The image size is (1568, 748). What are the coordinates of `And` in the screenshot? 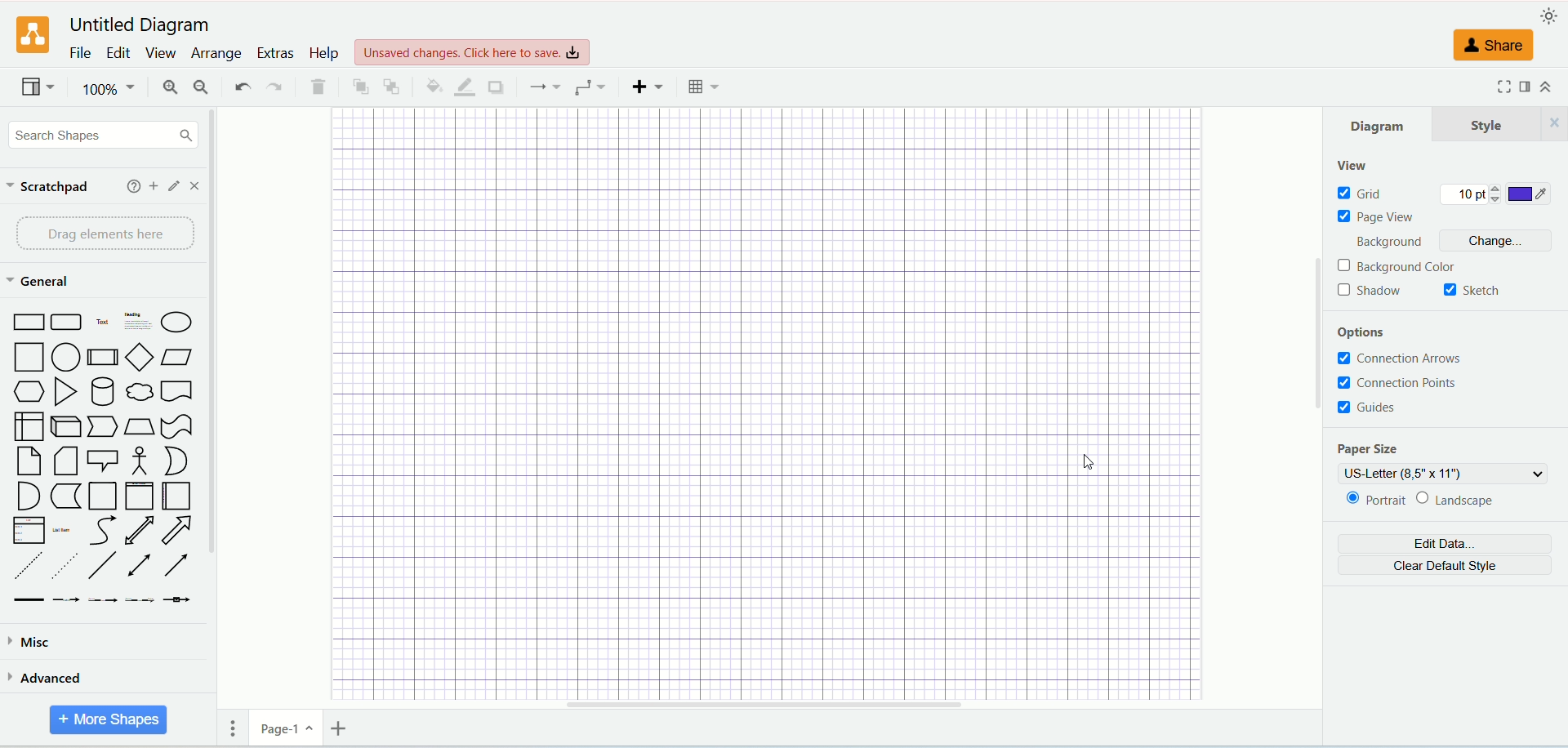 It's located at (29, 496).